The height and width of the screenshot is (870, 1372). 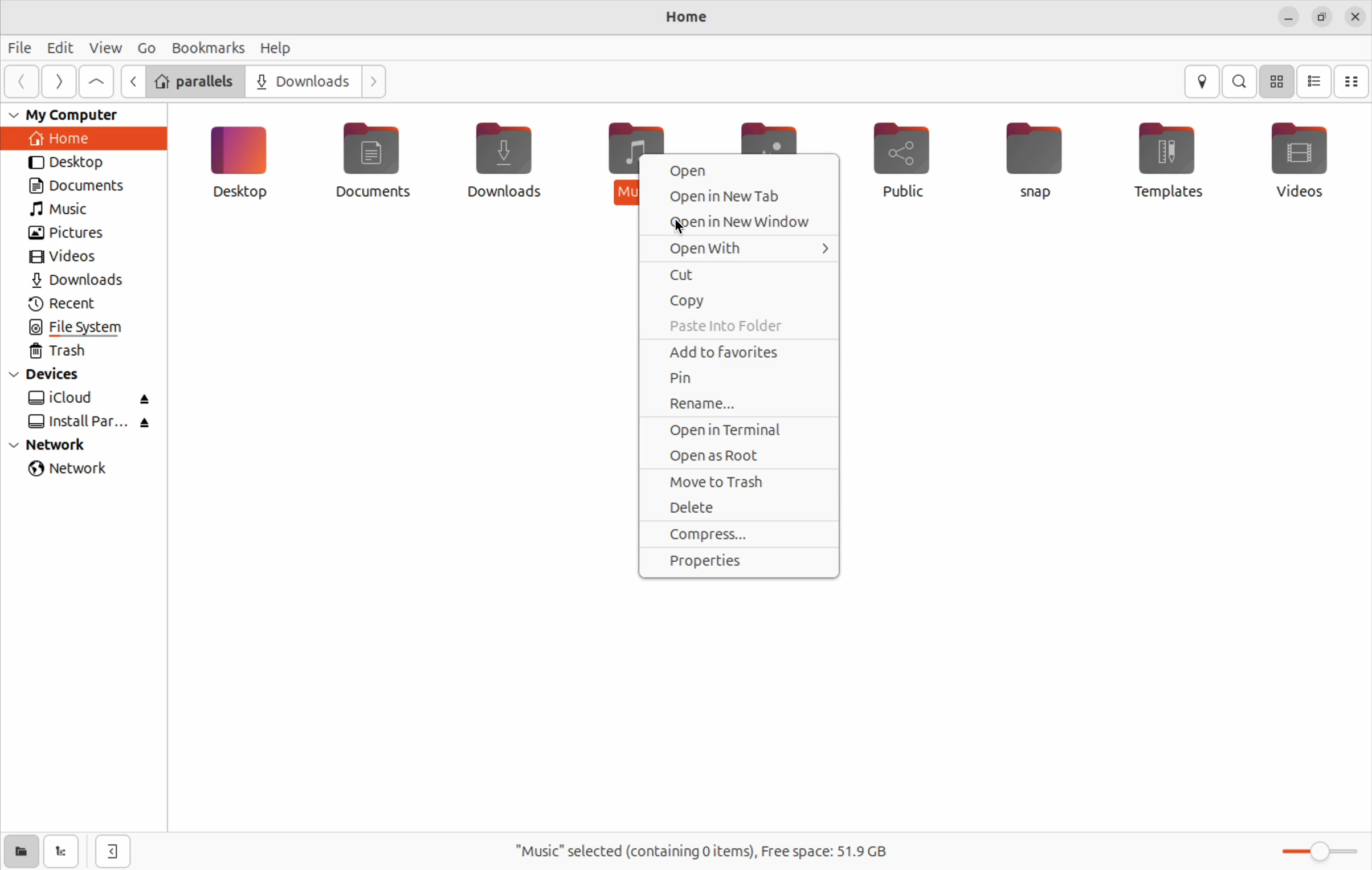 I want to click on upward, so click(x=97, y=81).